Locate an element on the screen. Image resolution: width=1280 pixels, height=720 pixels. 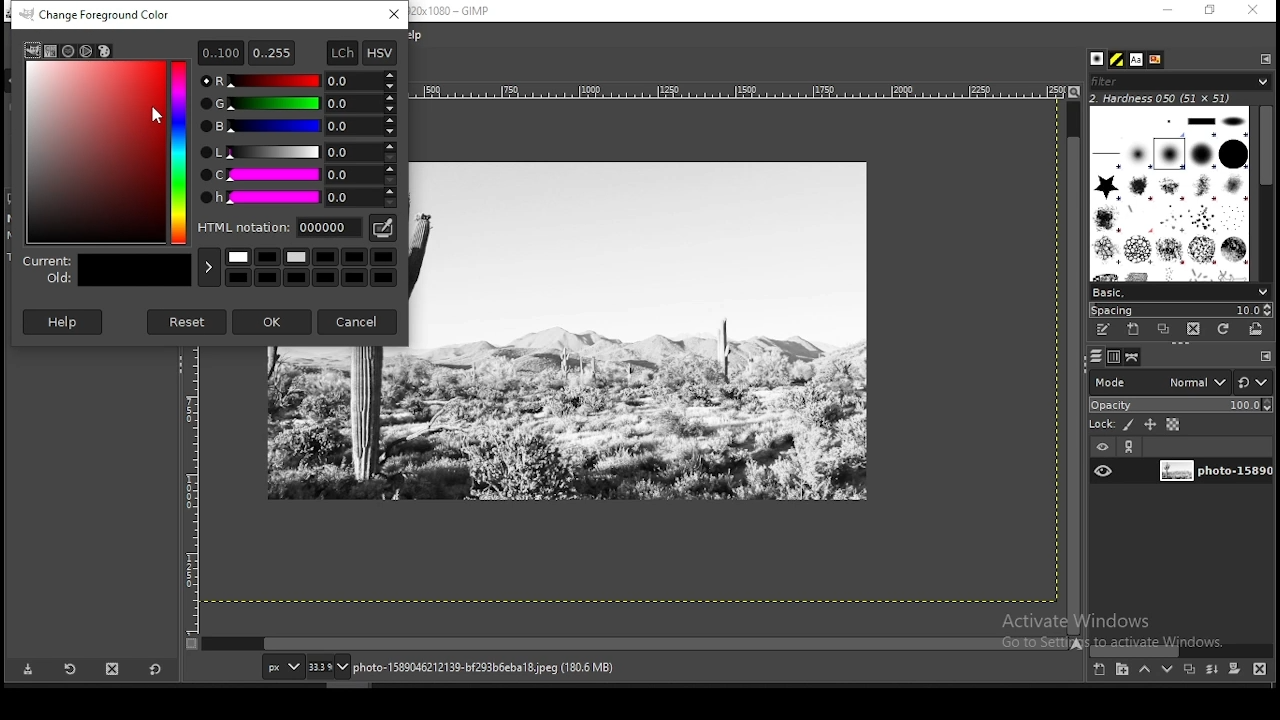
opacity is located at coordinates (1179, 404).